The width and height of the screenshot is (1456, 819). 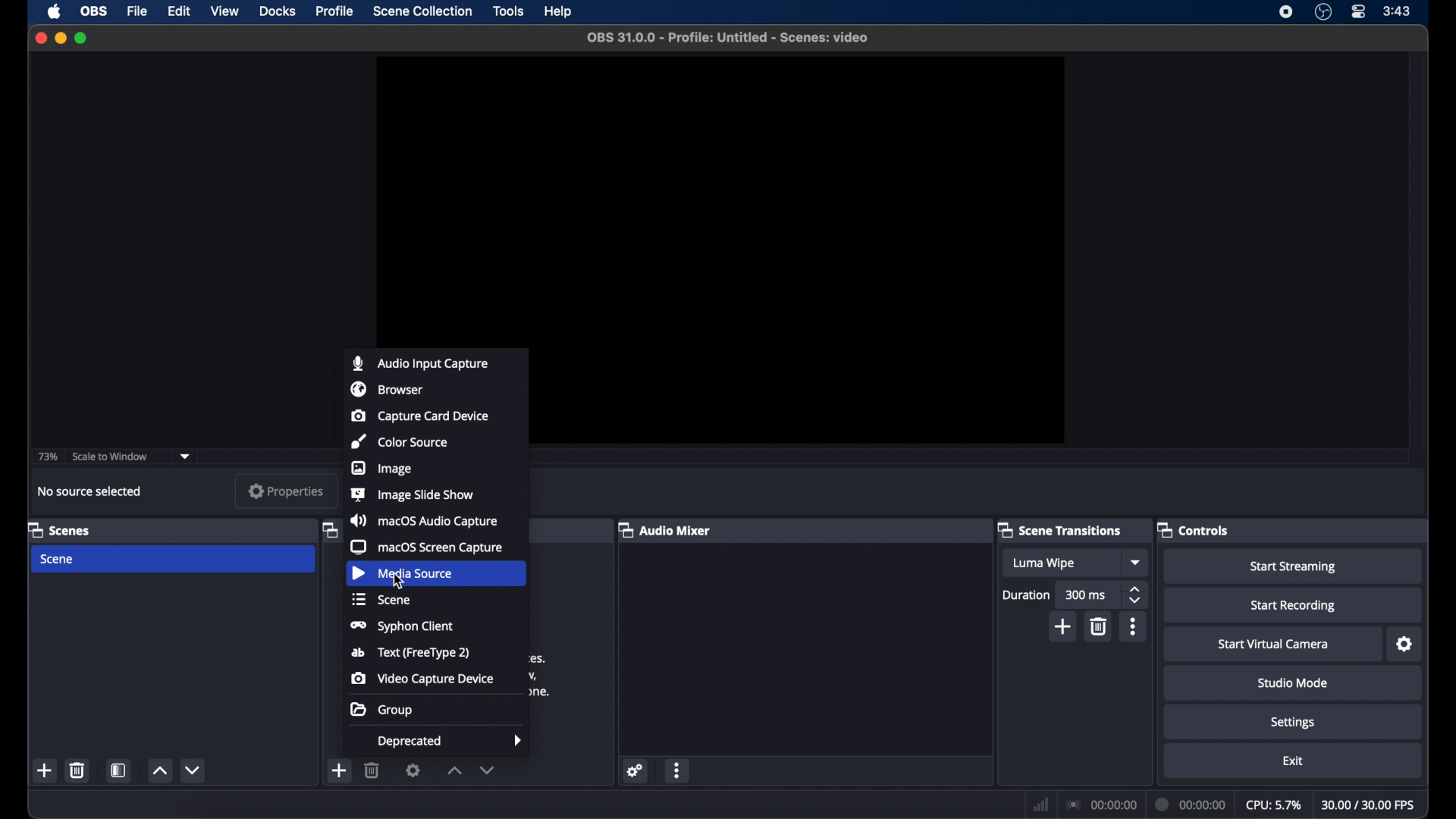 What do you see at coordinates (382, 710) in the screenshot?
I see `group` at bounding box center [382, 710].